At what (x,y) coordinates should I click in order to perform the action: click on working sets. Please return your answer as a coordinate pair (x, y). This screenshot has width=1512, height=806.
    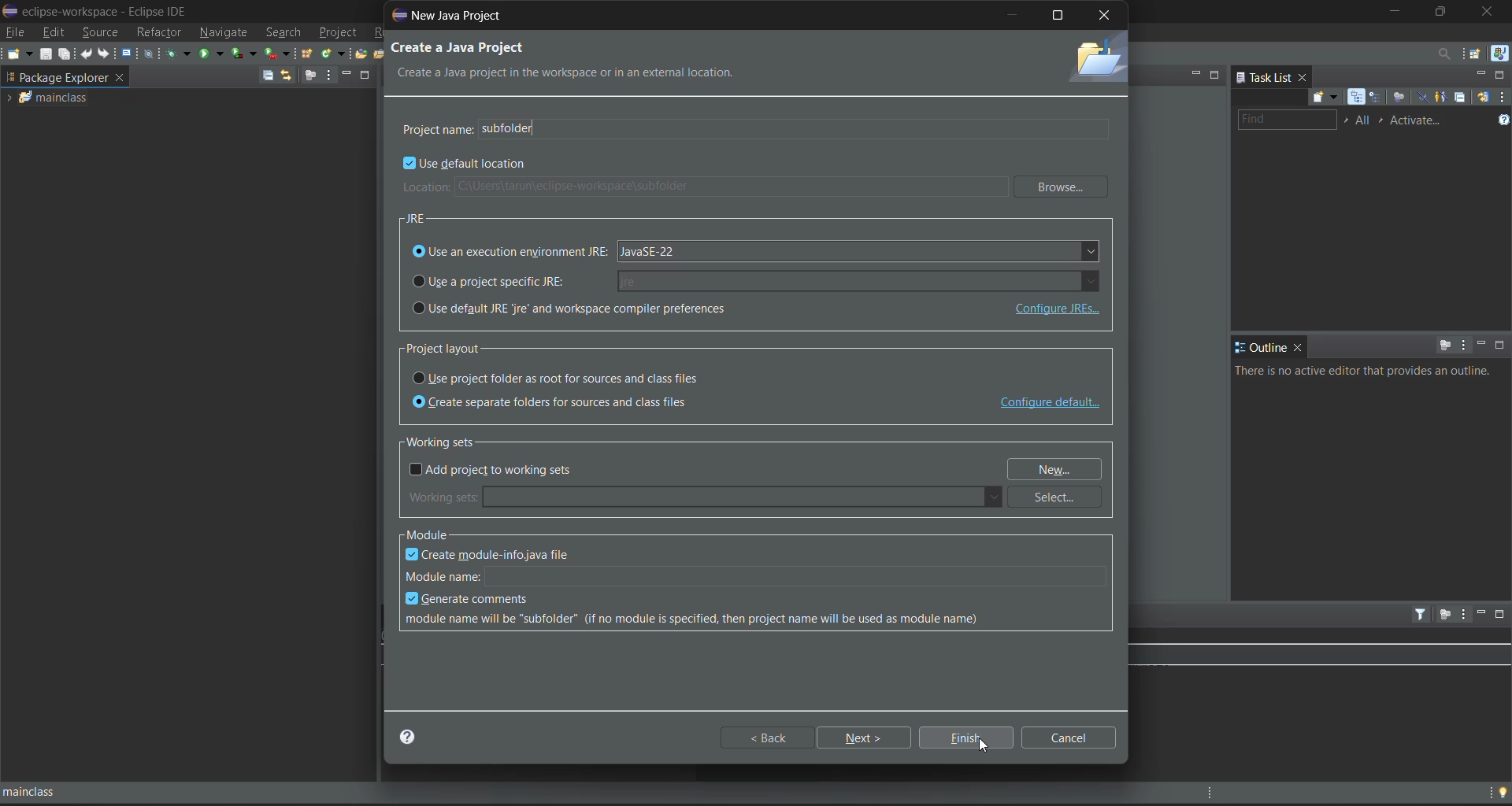
    Looking at the image, I should click on (705, 497).